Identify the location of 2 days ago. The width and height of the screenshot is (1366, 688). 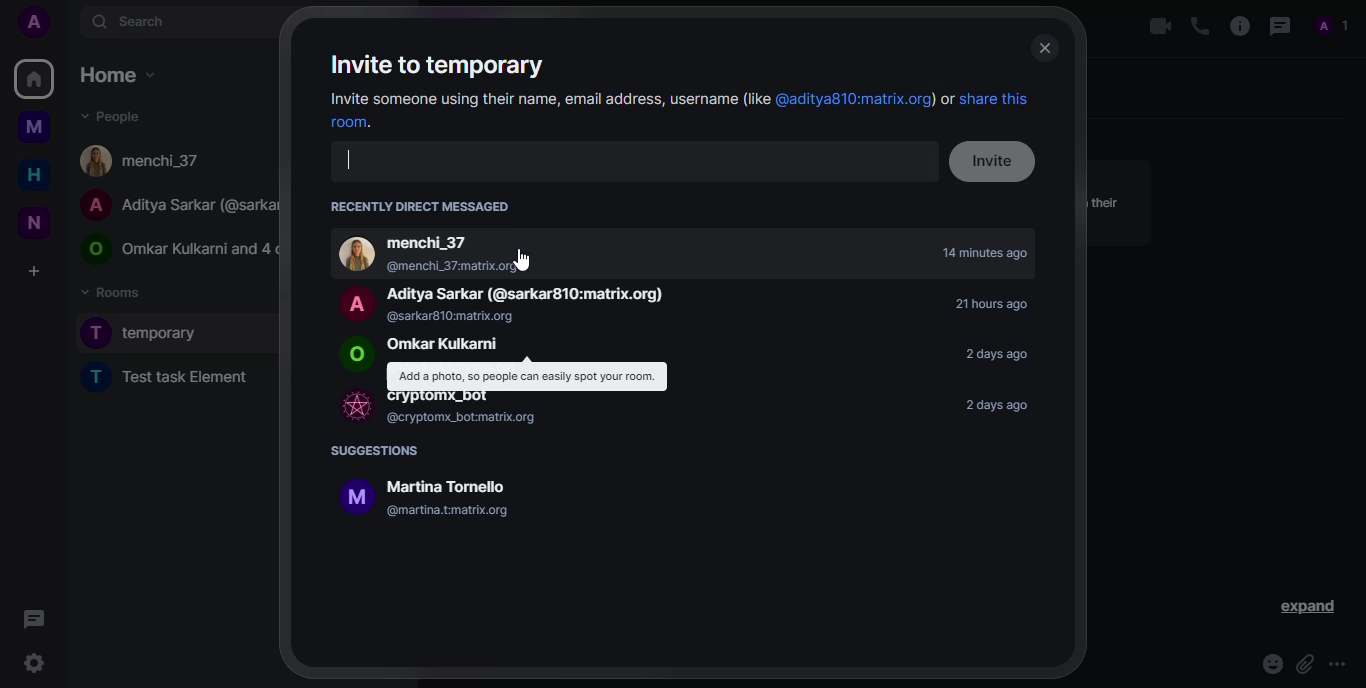
(1004, 406).